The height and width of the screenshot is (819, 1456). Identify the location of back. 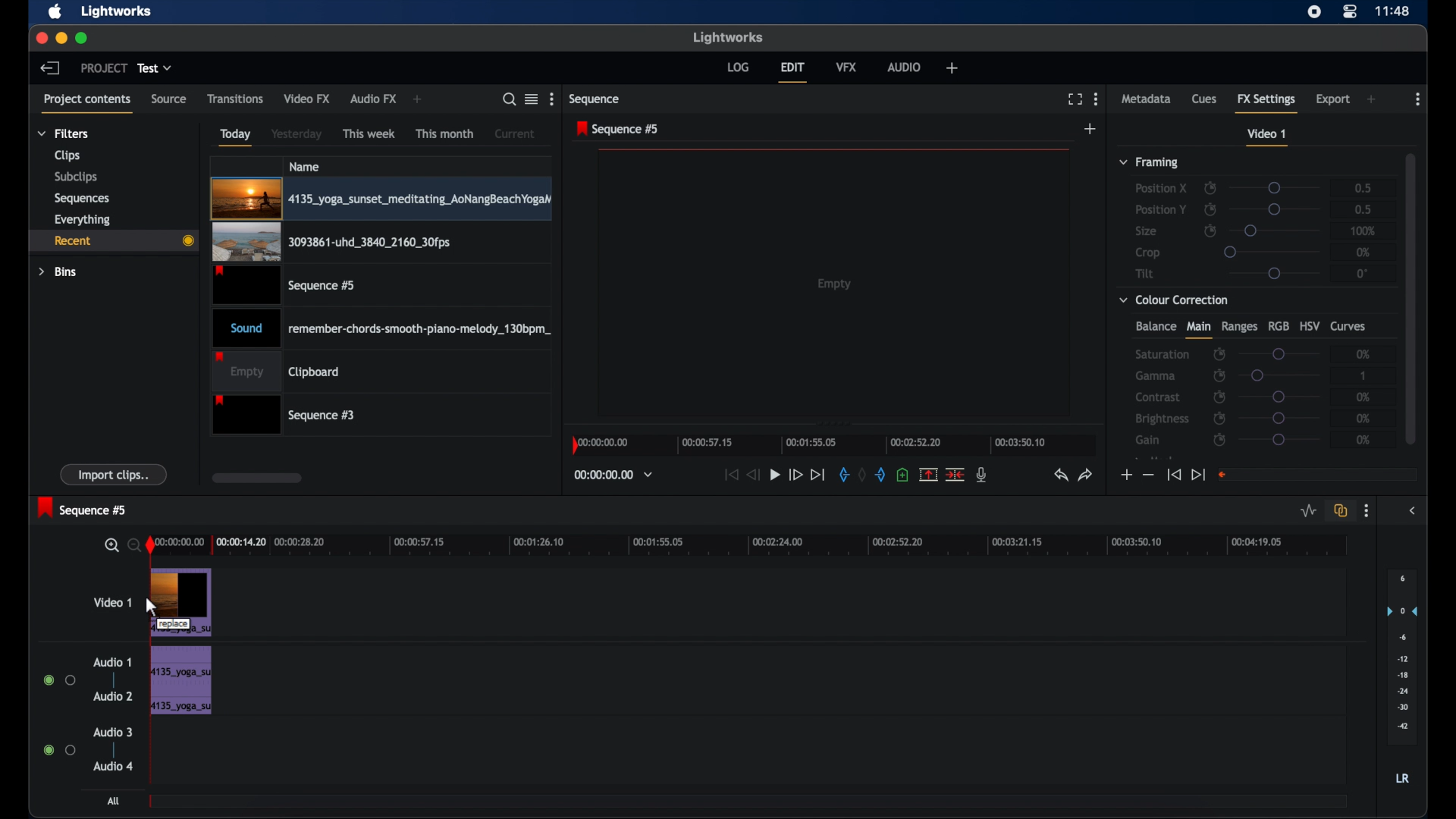
(50, 67).